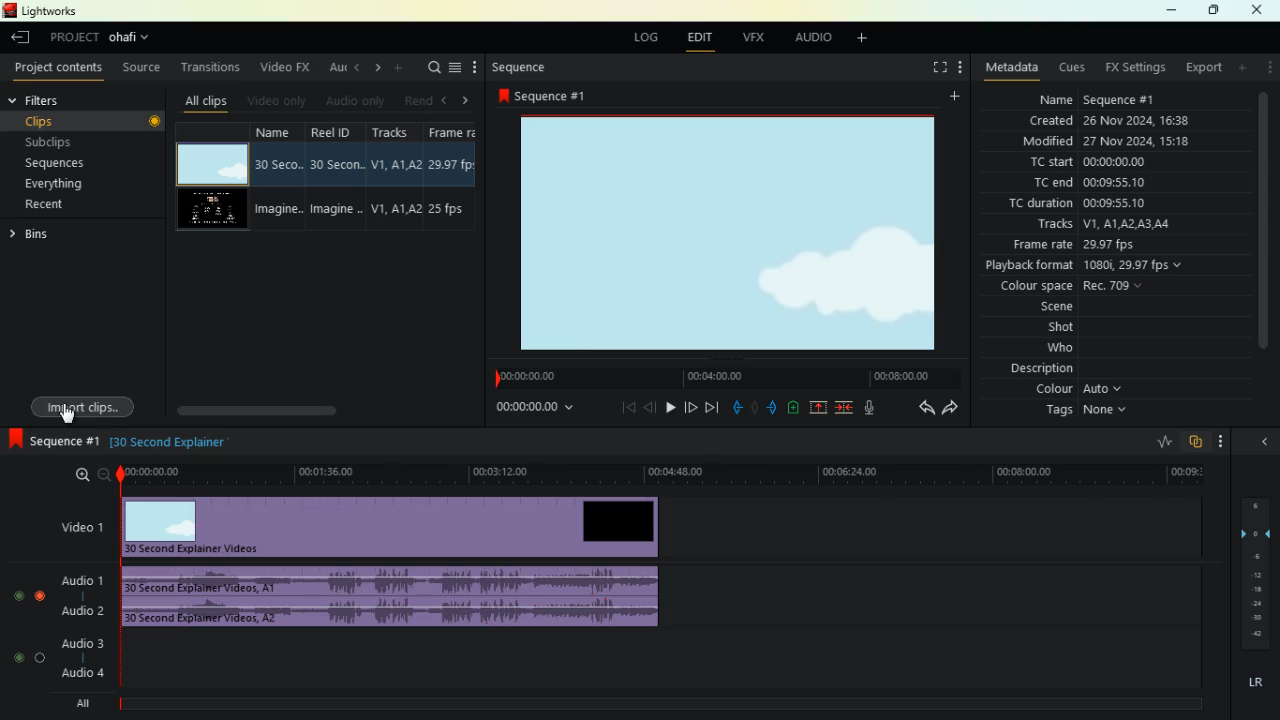 The height and width of the screenshot is (720, 1280). Describe the element at coordinates (1263, 230) in the screenshot. I see `scroll` at that location.